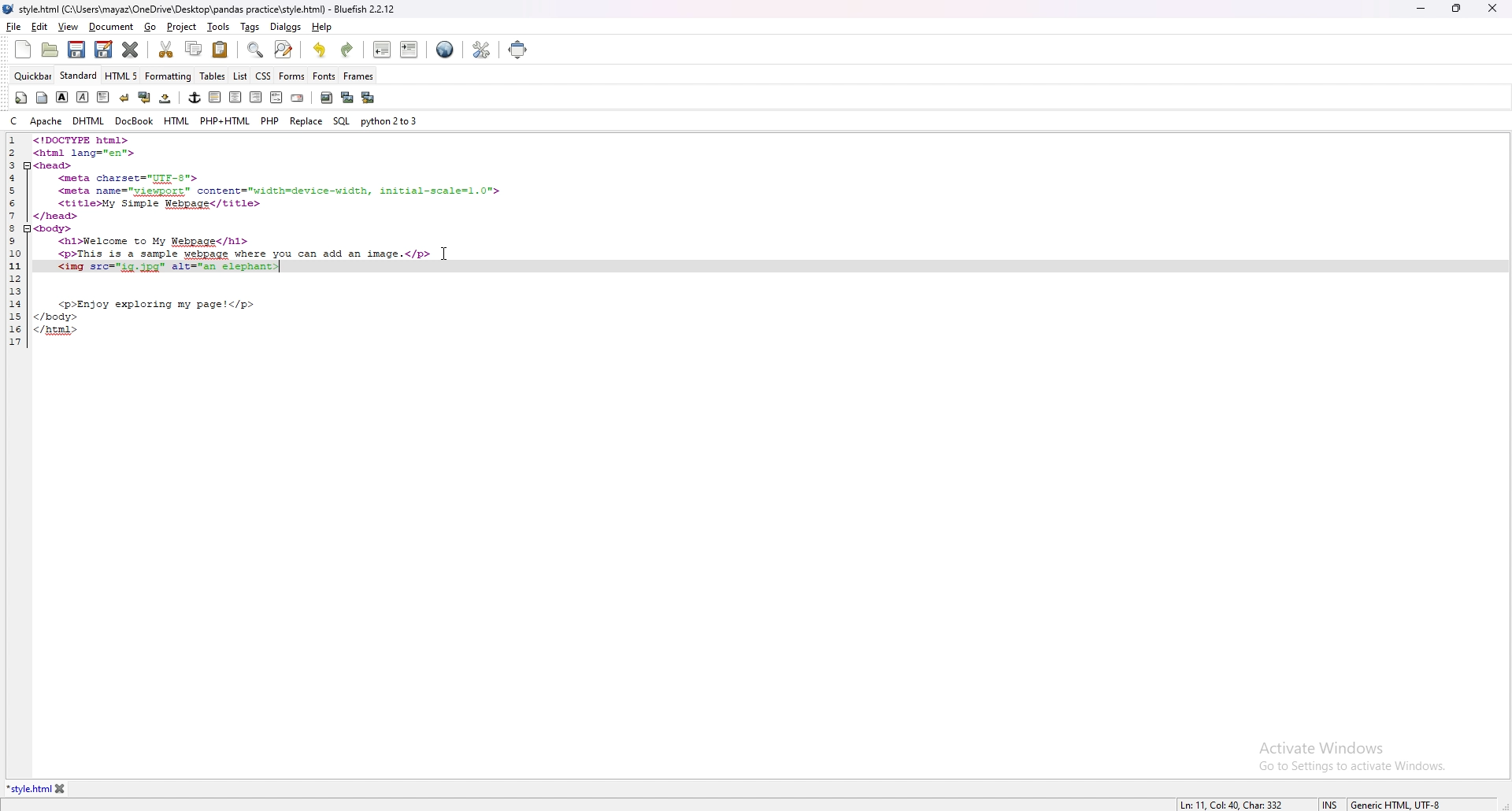 This screenshot has width=1512, height=811. What do you see at coordinates (89, 121) in the screenshot?
I see `dhtml` at bounding box center [89, 121].